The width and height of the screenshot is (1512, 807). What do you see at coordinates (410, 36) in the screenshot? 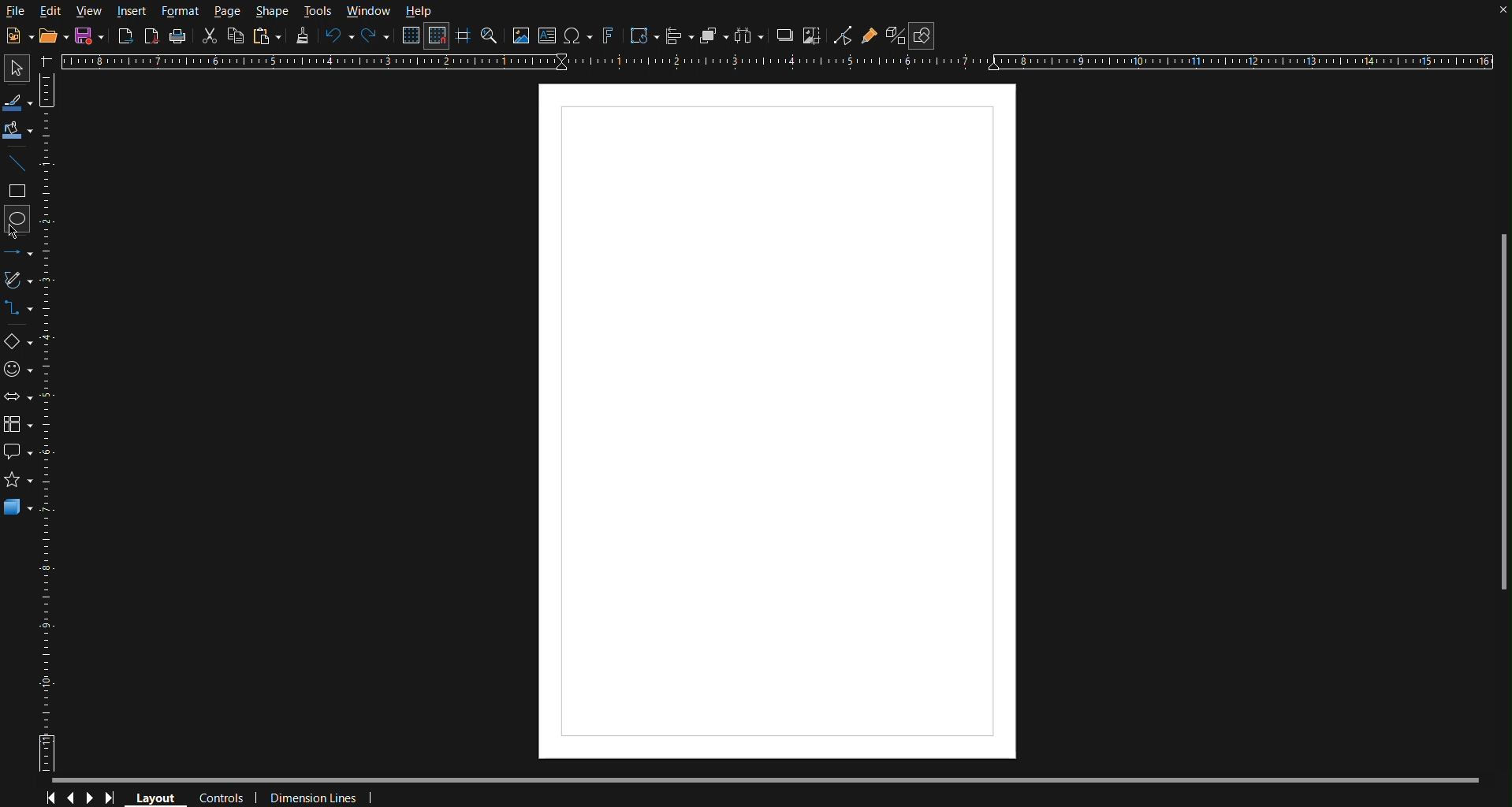
I see `Display Grid` at bounding box center [410, 36].